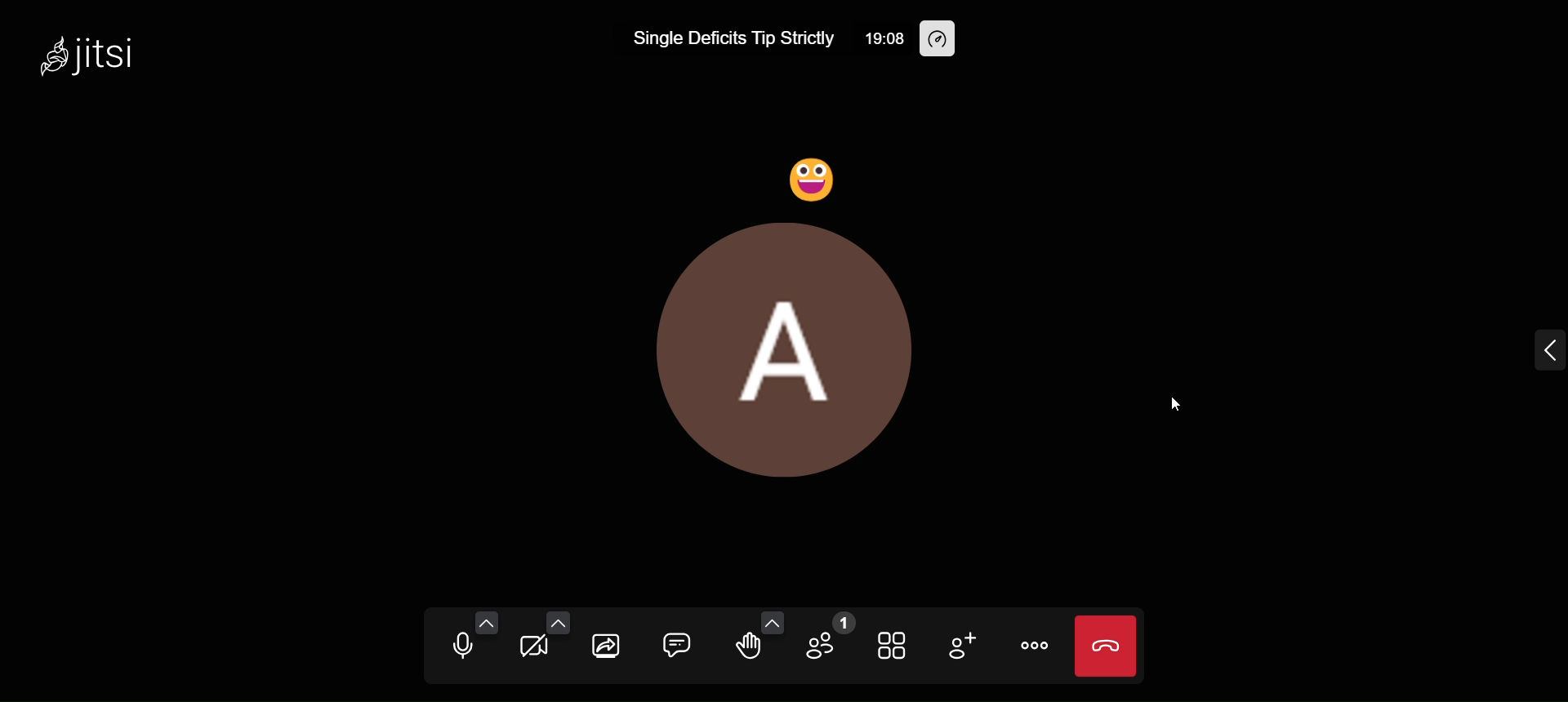 The width and height of the screenshot is (1568, 702). What do you see at coordinates (1533, 357) in the screenshot?
I see `expand` at bounding box center [1533, 357].